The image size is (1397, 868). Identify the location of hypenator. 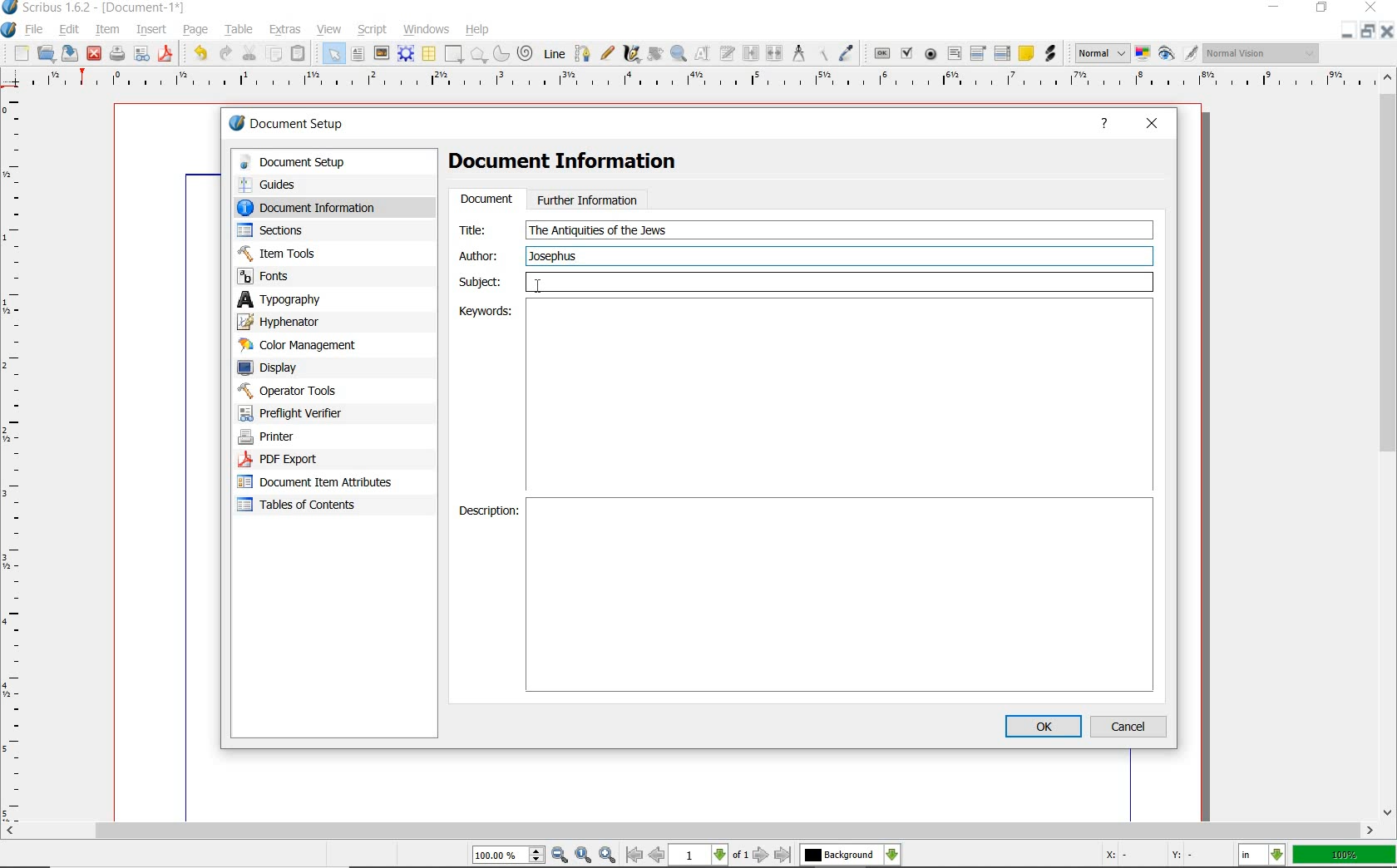
(291, 322).